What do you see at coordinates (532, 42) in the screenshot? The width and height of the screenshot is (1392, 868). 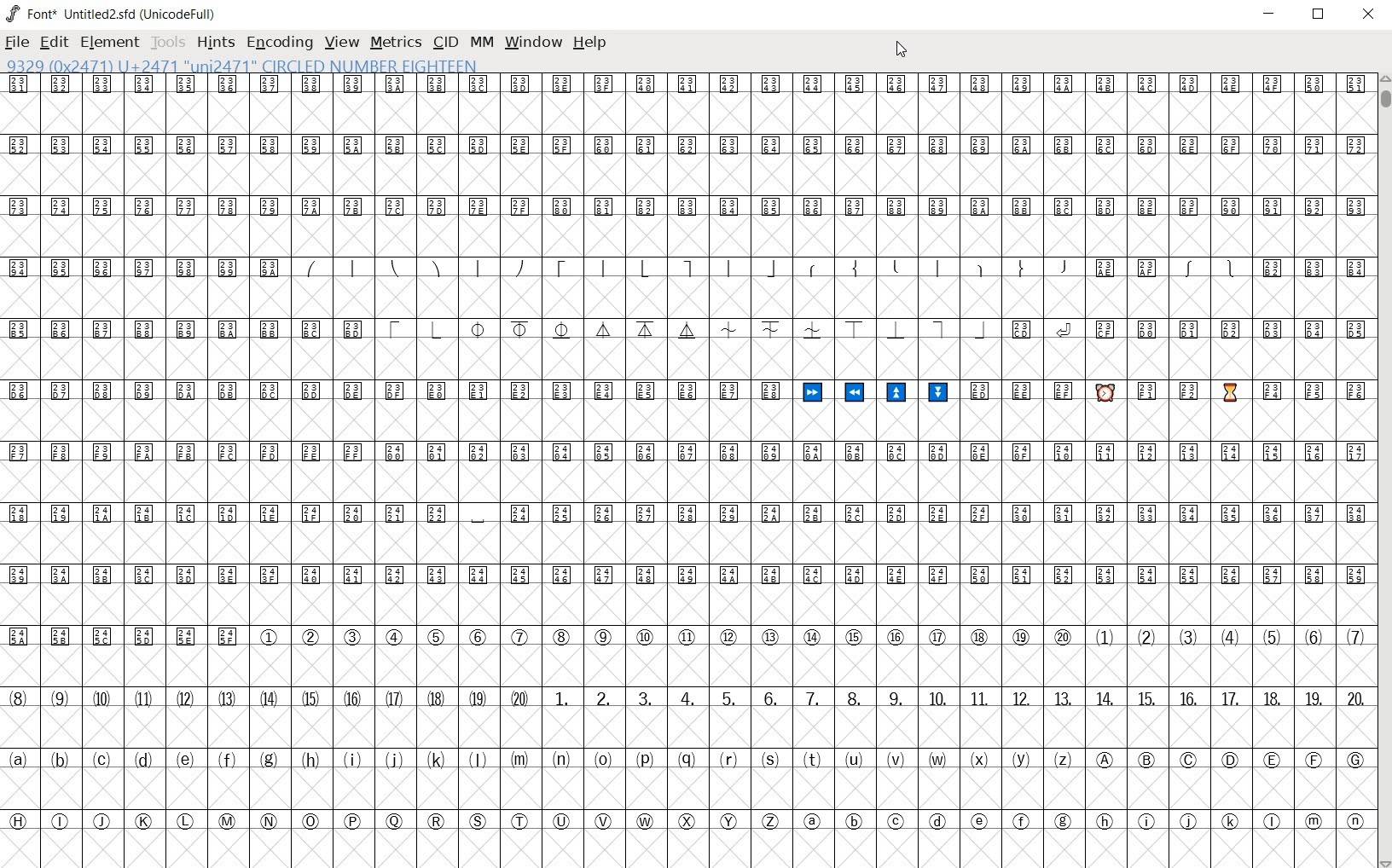 I see `window` at bounding box center [532, 42].